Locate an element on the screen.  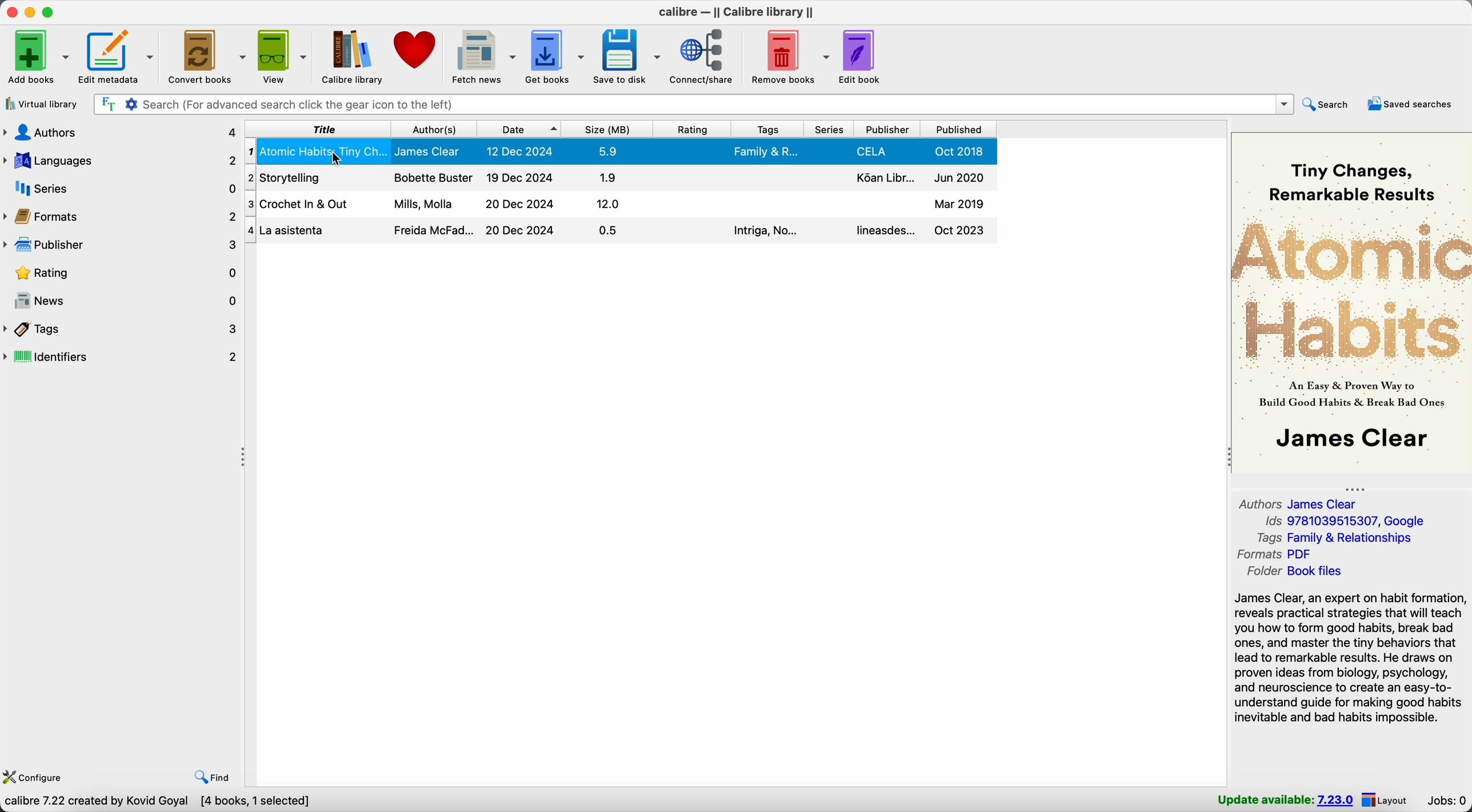
size is located at coordinates (607, 129).